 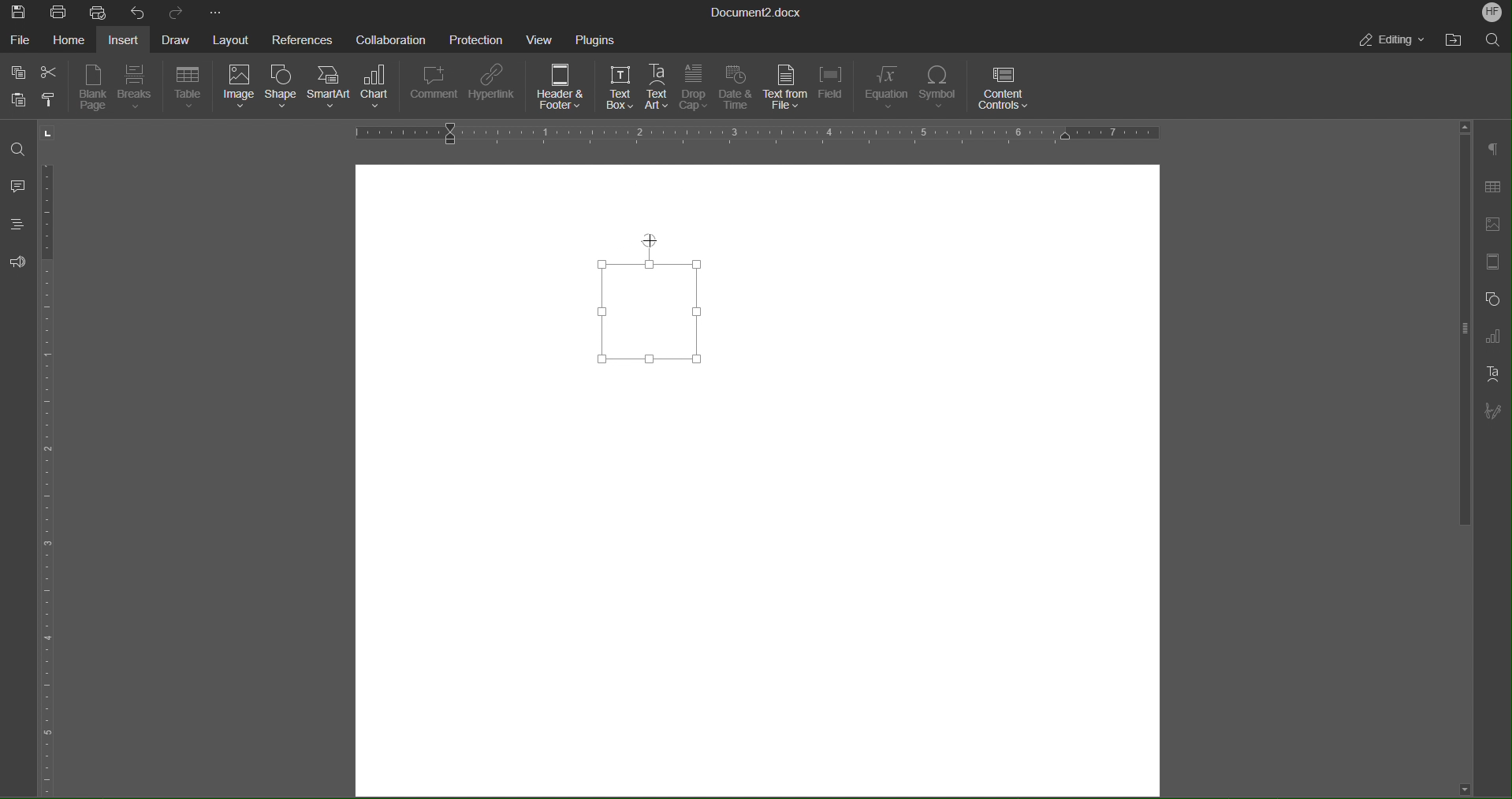 I want to click on Find, so click(x=20, y=150).